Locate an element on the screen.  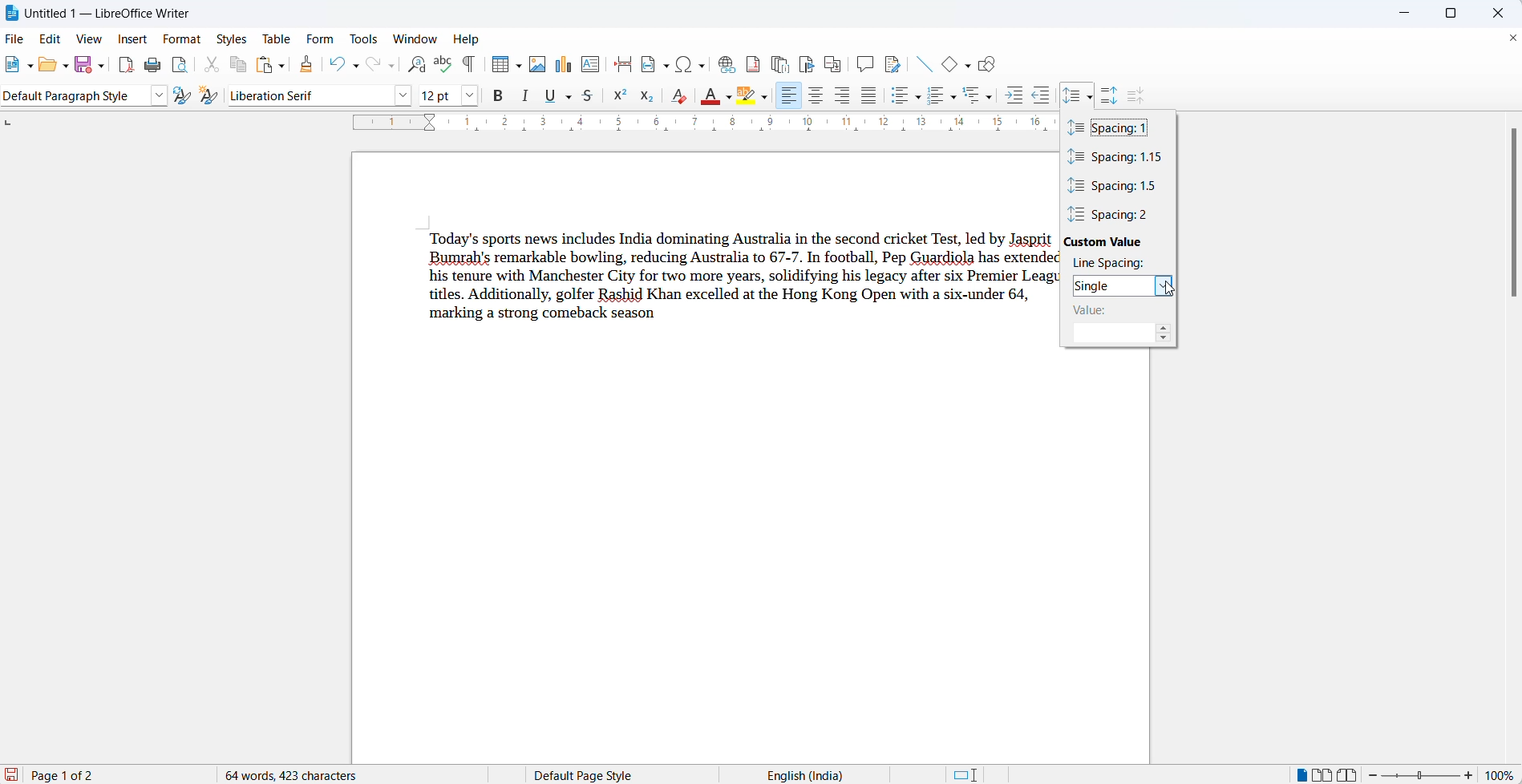
current style is located at coordinates (71, 97).